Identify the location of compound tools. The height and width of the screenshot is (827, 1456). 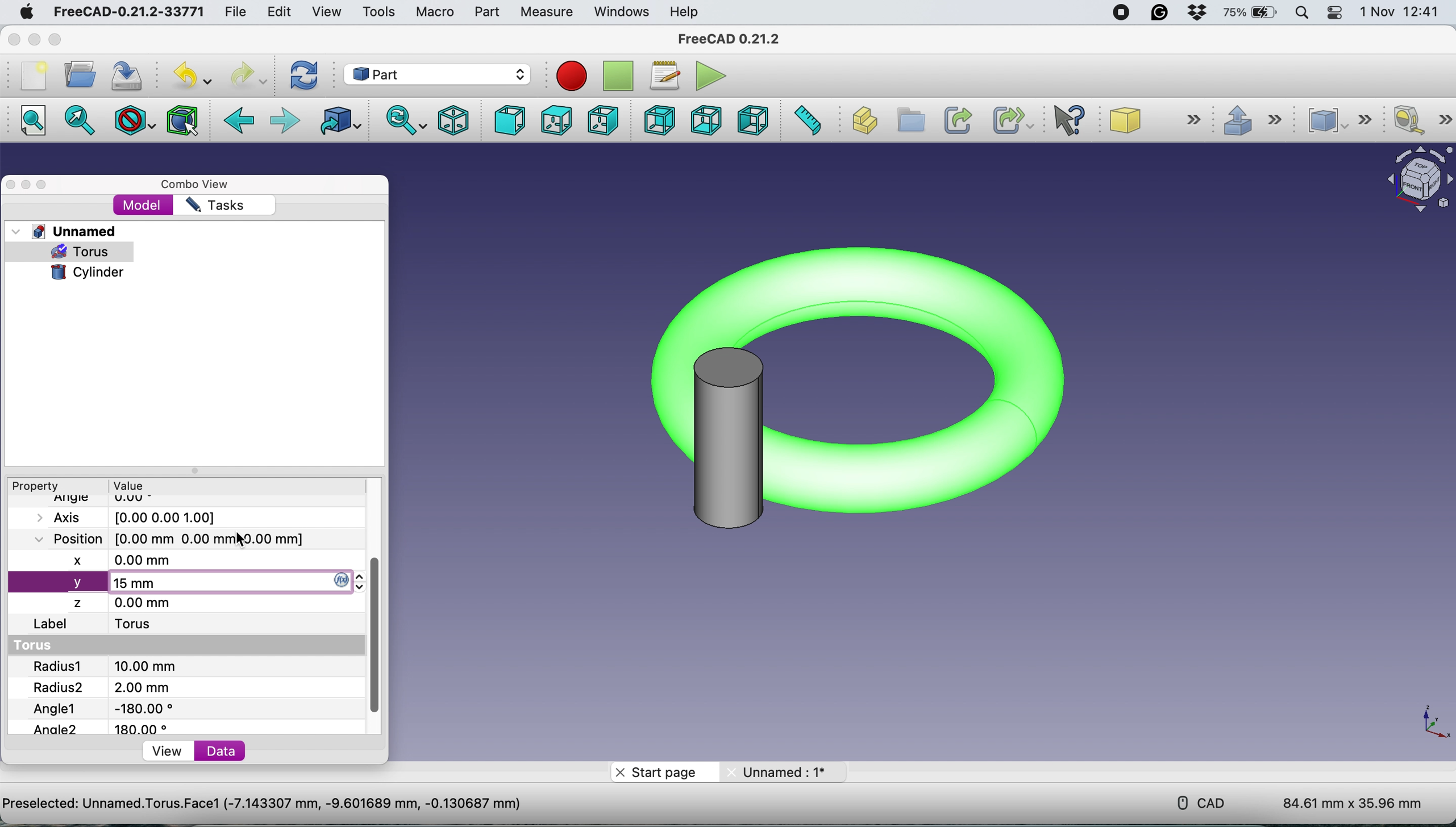
(1347, 120).